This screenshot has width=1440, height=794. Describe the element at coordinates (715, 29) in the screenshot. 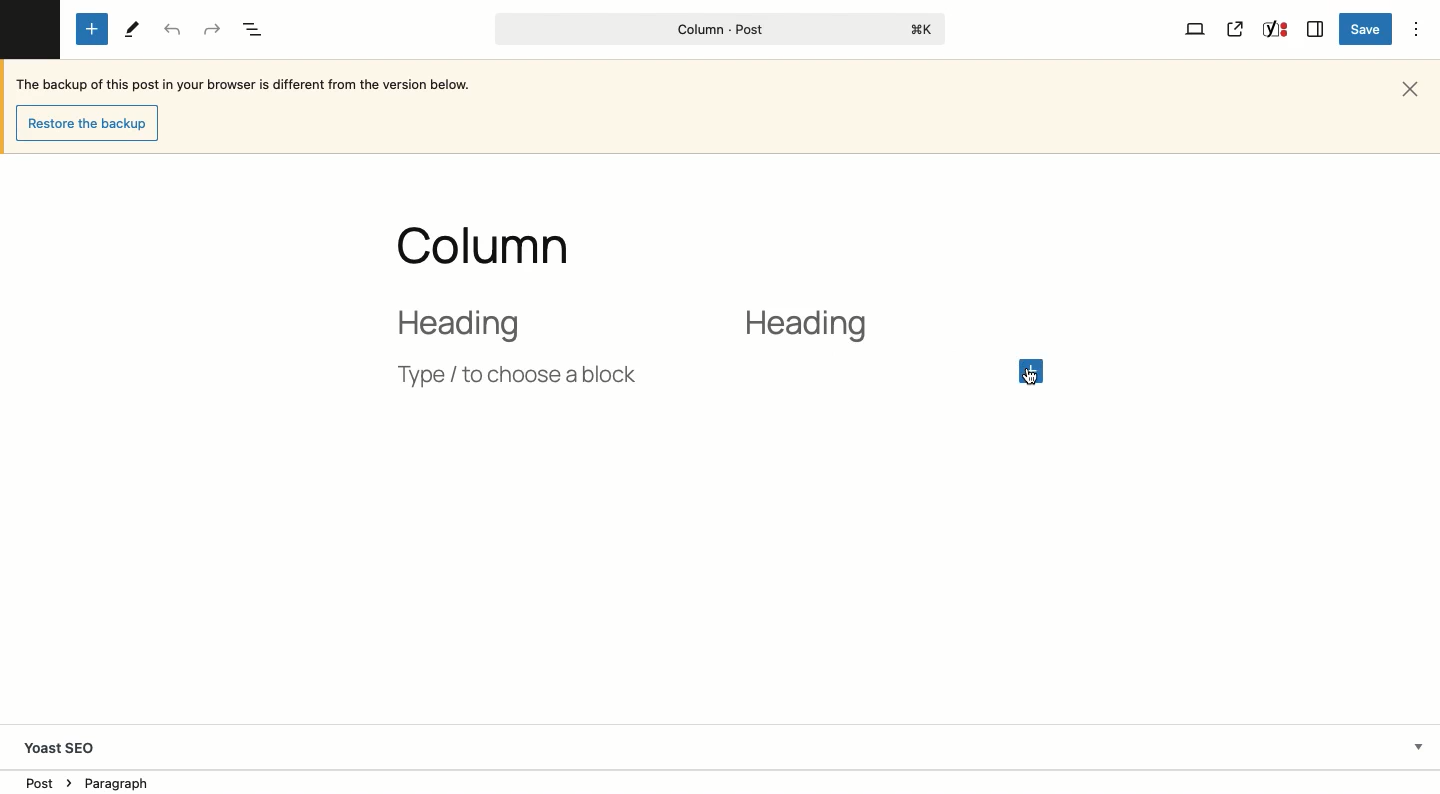

I see `Column - Post` at that location.